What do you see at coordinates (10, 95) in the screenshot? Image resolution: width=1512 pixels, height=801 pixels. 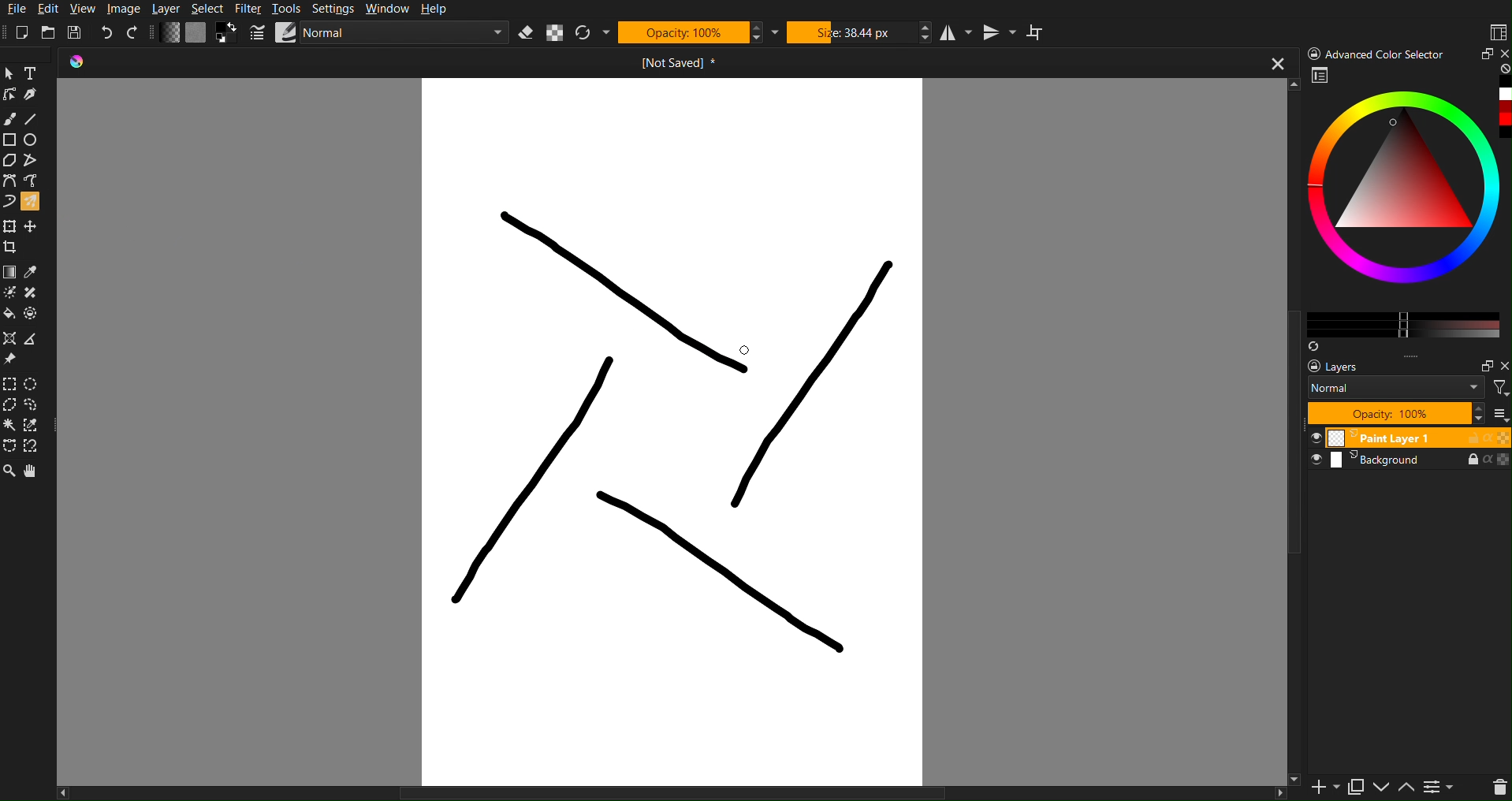 I see `Linework` at bounding box center [10, 95].